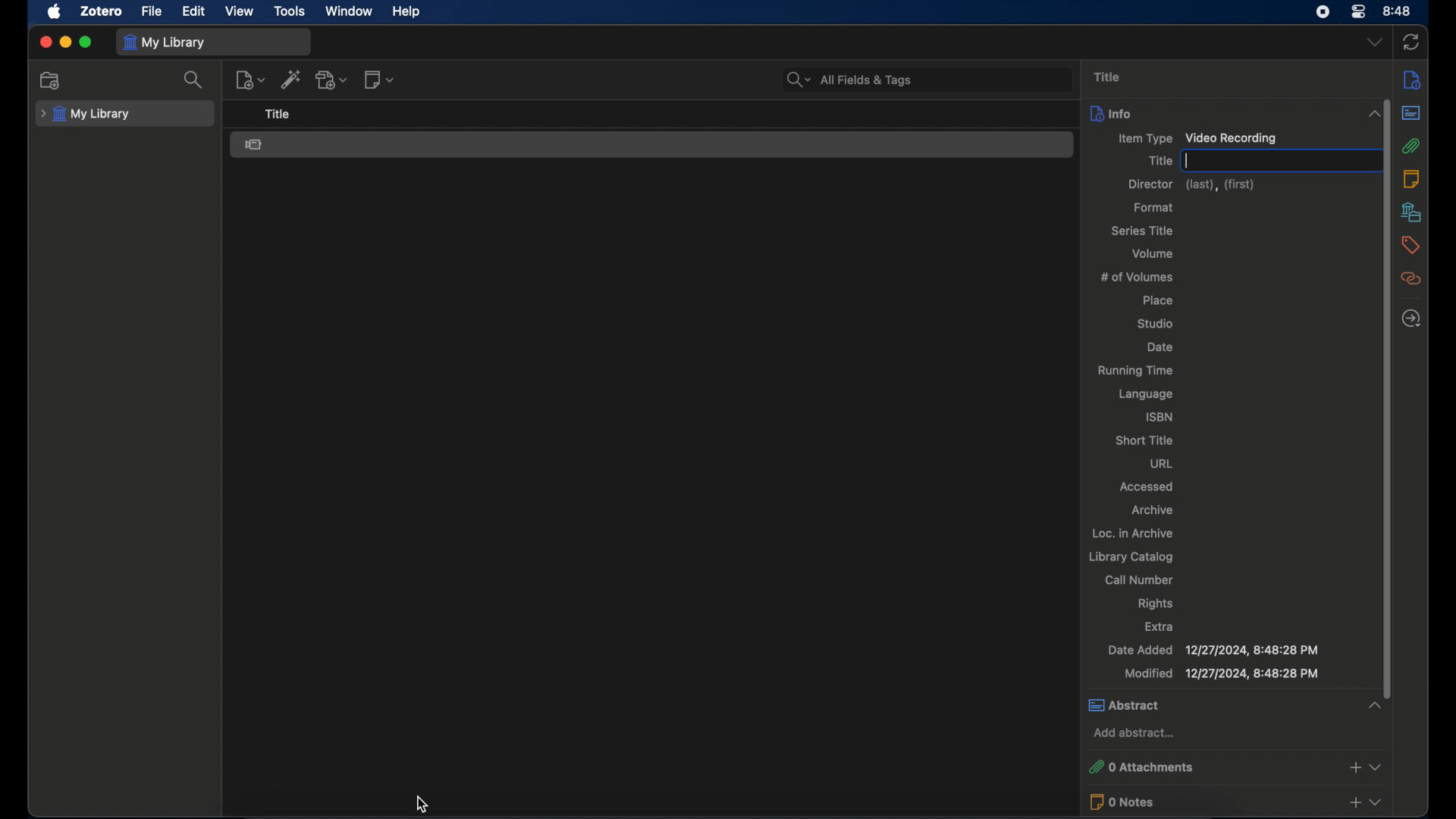  I want to click on Modified 12/27/2024, 8:48:28 PM, so click(1224, 674).